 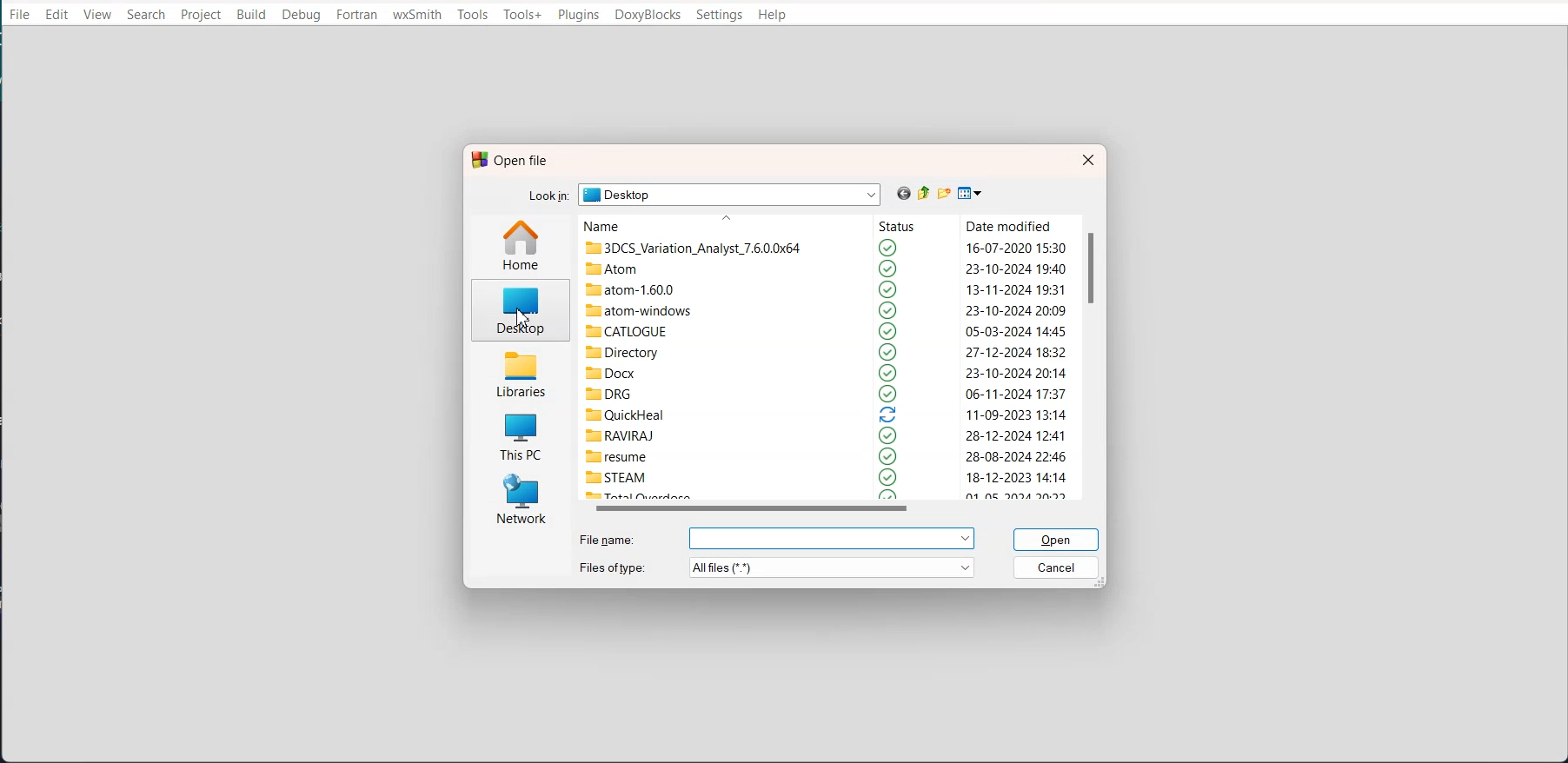 I want to click on View, so click(x=100, y=14).